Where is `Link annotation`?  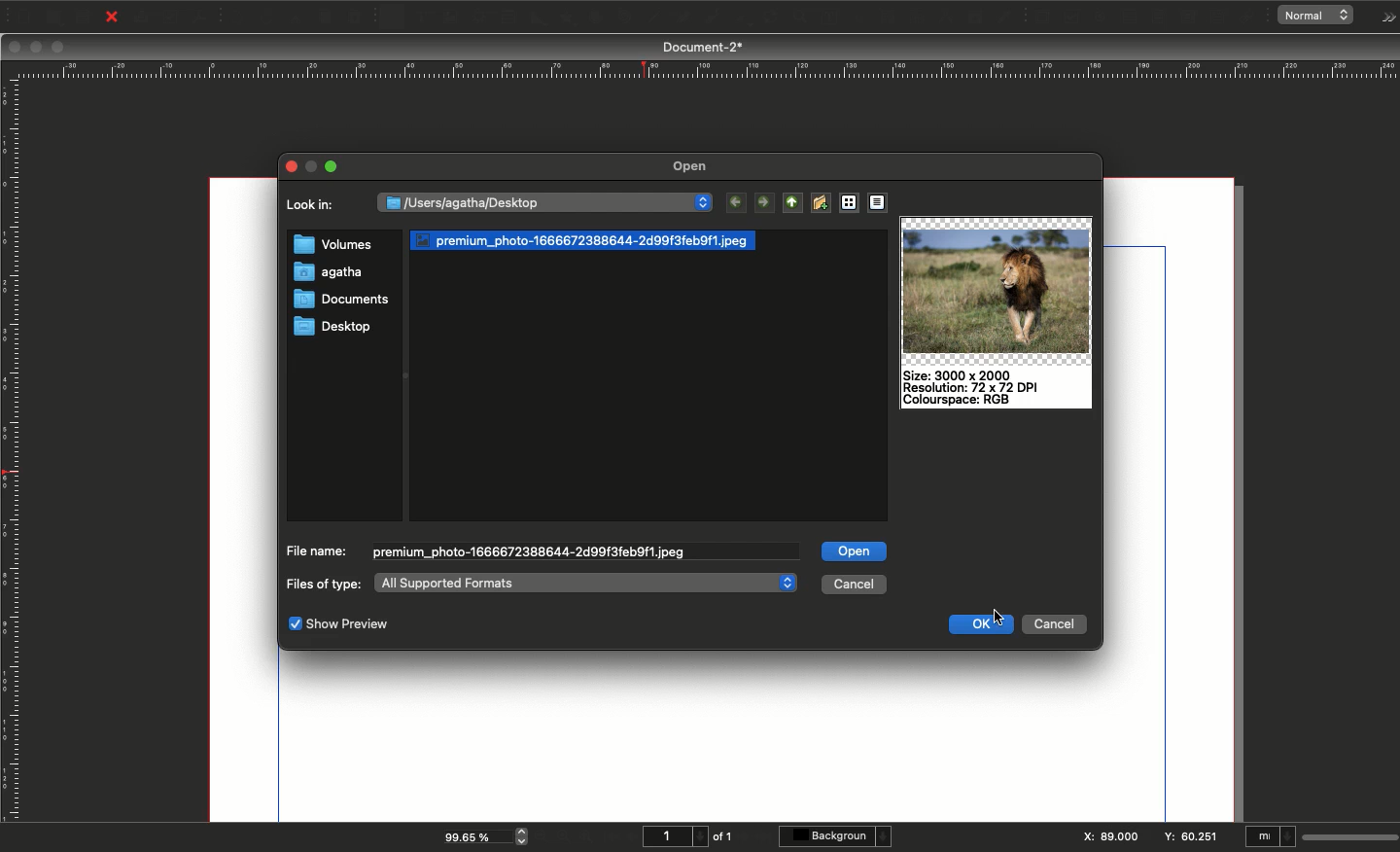
Link annotation is located at coordinates (1250, 18).